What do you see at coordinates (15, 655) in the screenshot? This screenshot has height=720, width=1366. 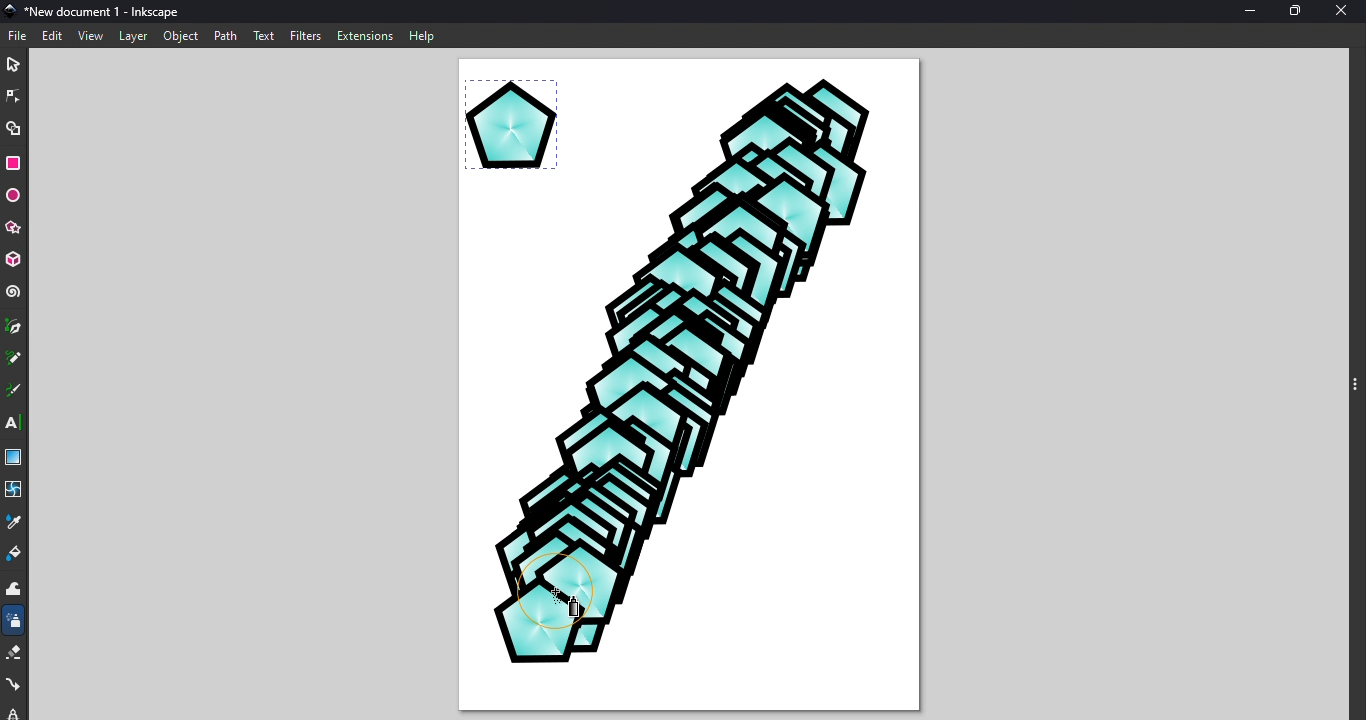 I see `Eraser tool` at bounding box center [15, 655].